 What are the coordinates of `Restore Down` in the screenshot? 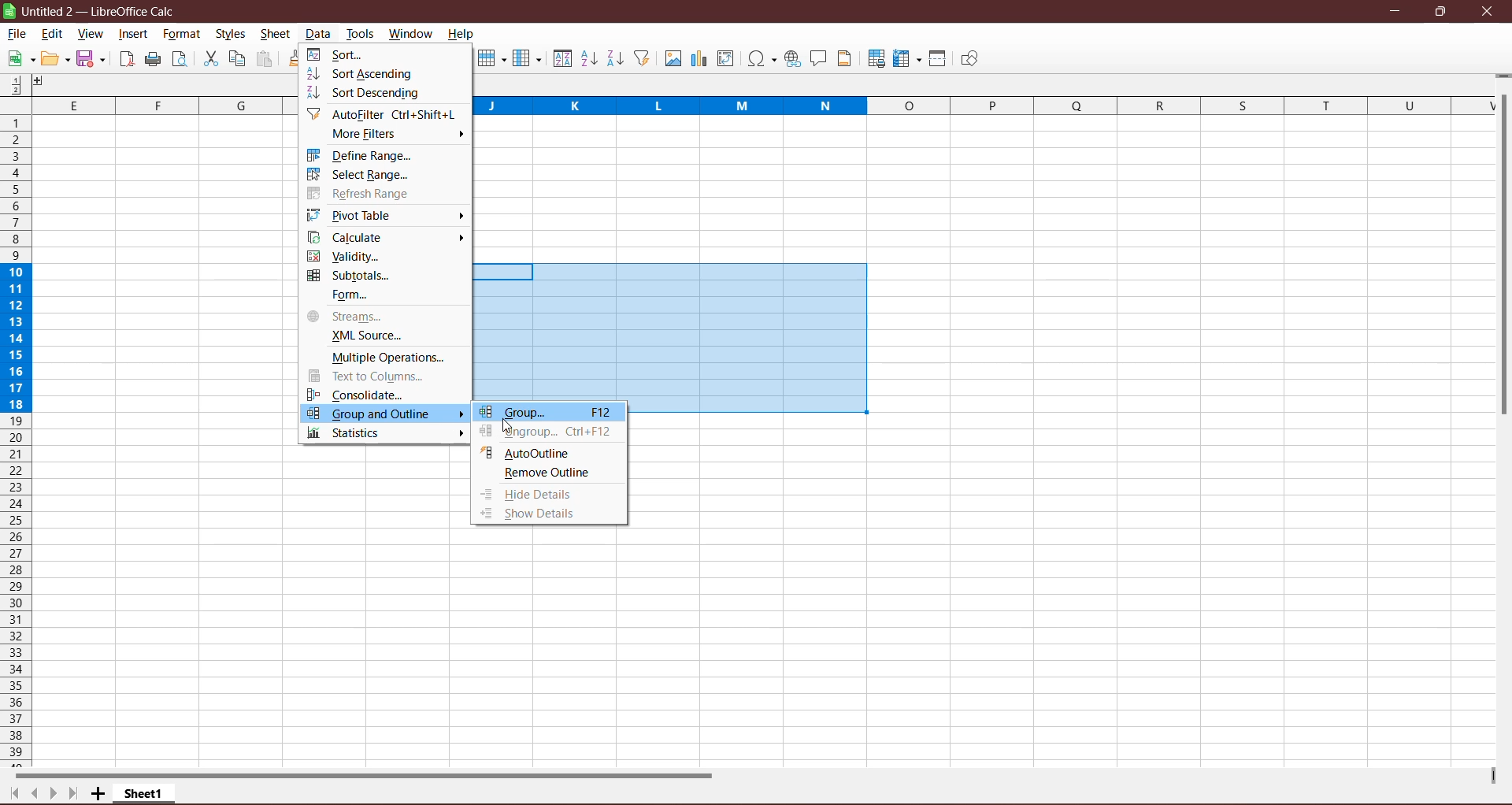 It's located at (1440, 11).